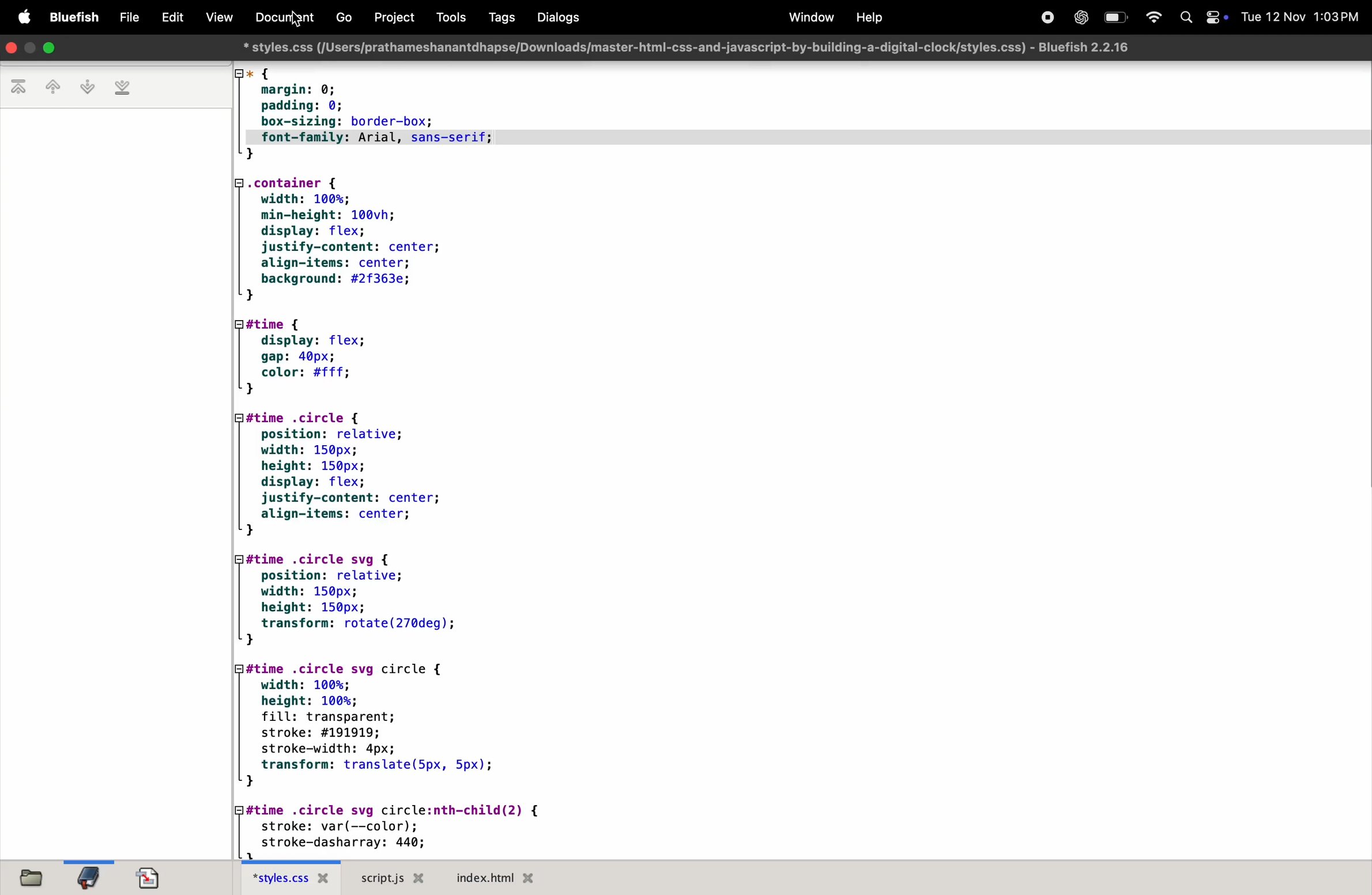 This screenshot has width=1372, height=895. What do you see at coordinates (70, 17) in the screenshot?
I see `Bluefish` at bounding box center [70, 17].